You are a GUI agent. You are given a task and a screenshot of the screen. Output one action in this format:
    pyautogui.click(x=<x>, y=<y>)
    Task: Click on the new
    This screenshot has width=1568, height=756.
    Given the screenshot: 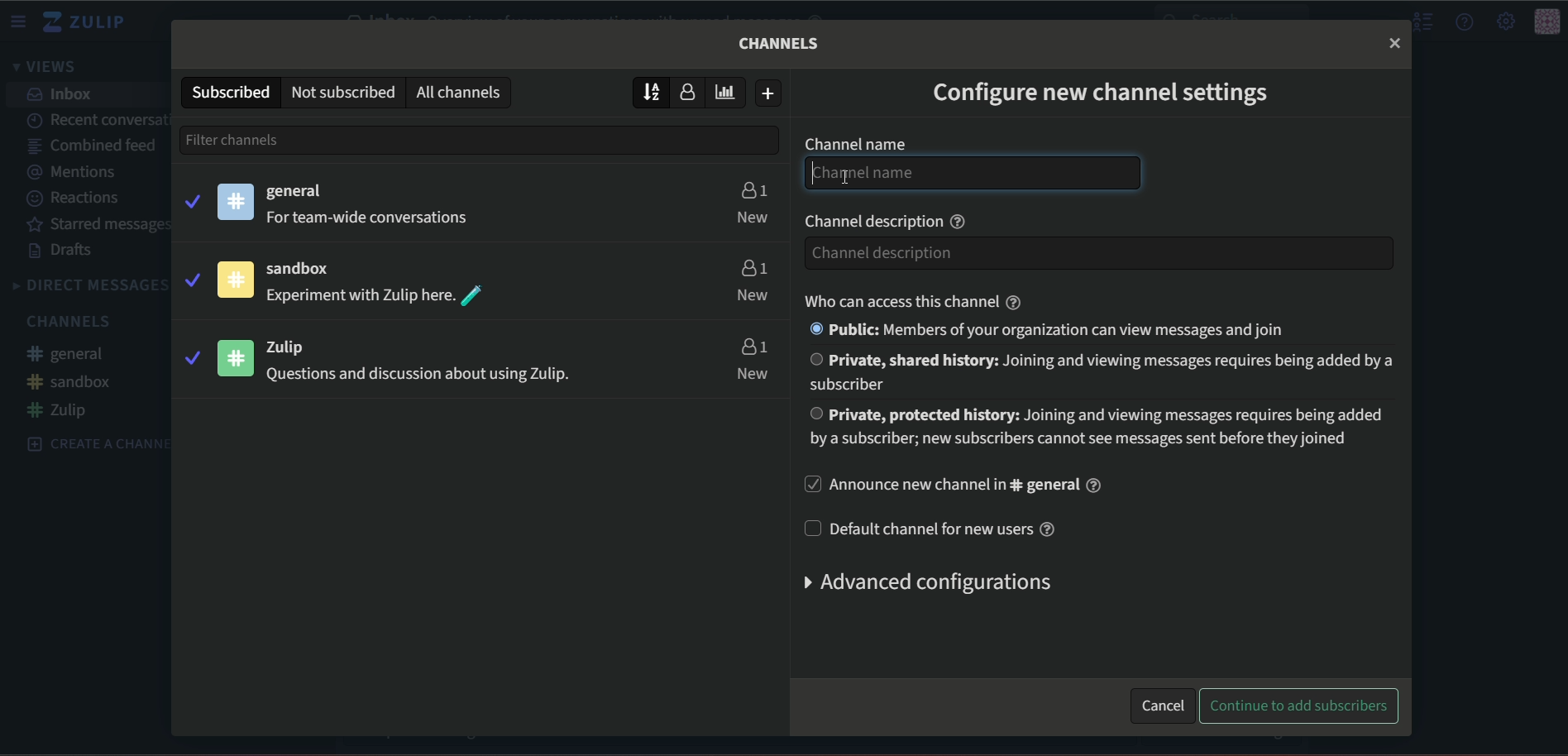 What is the action you would take?
    pyautogui.click(x=753, y=217)
    